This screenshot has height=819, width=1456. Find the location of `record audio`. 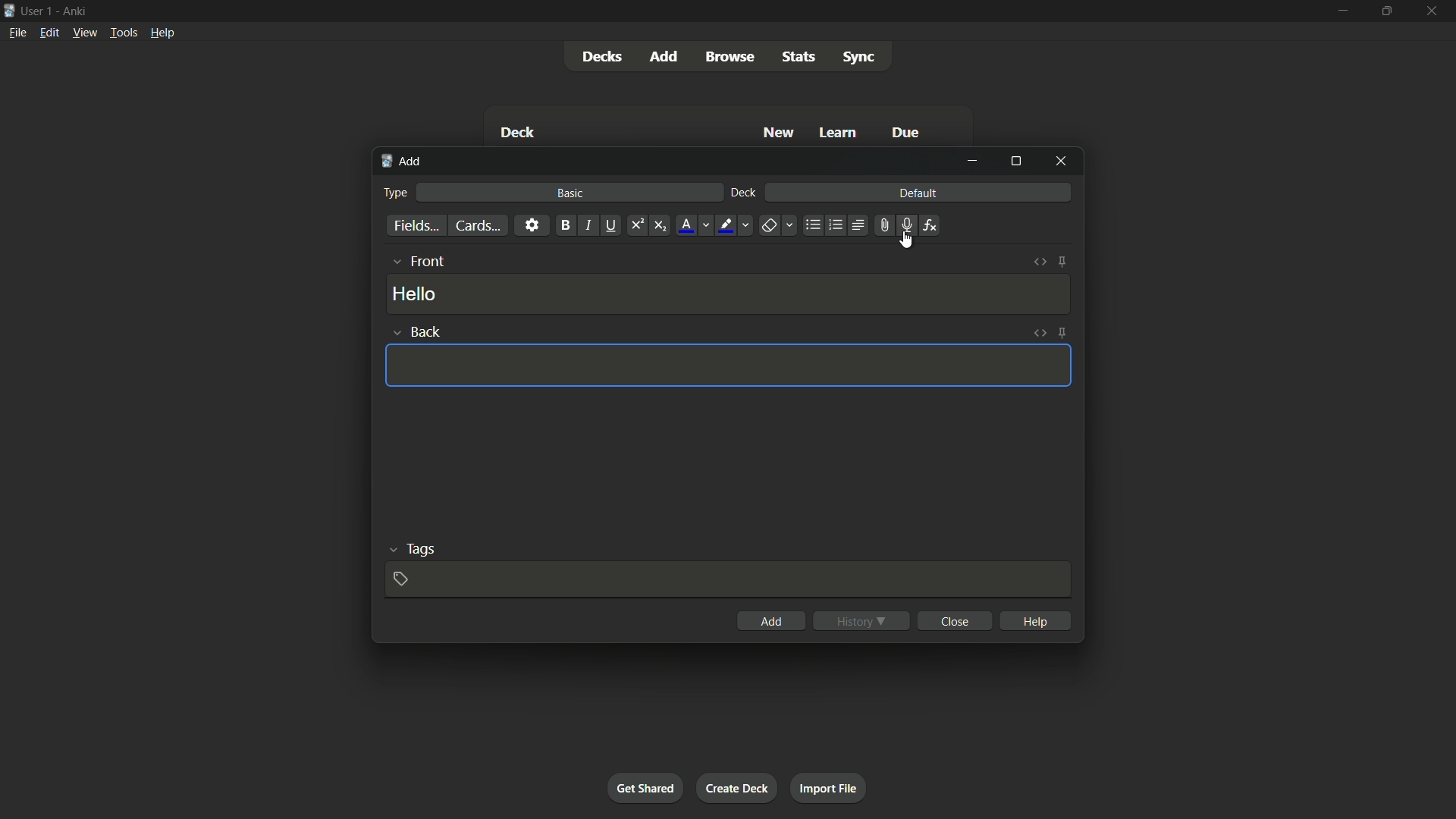

record audio is located at coordinates (907, 225).